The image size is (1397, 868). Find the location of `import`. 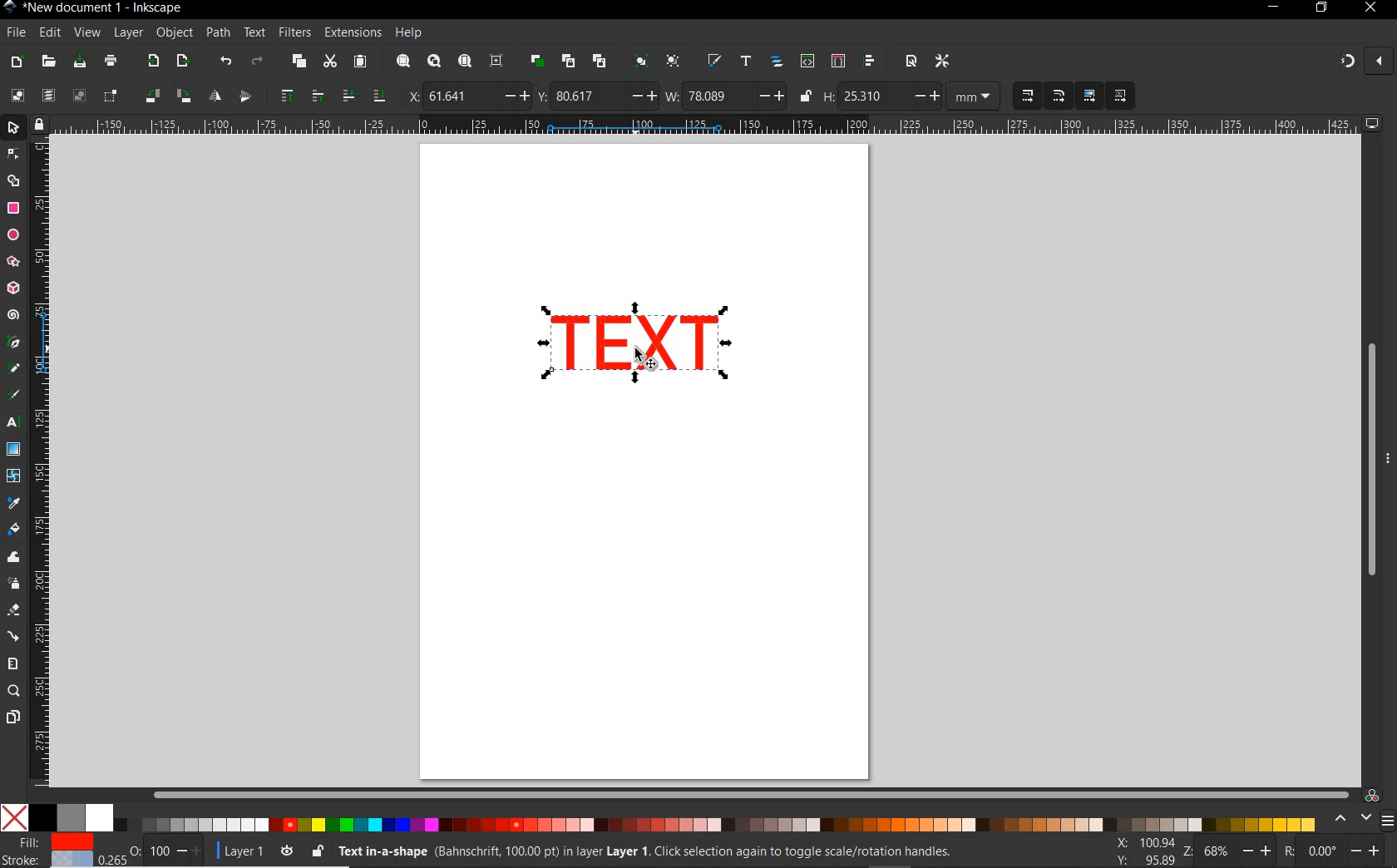

import is located at coordinates (152, 62).